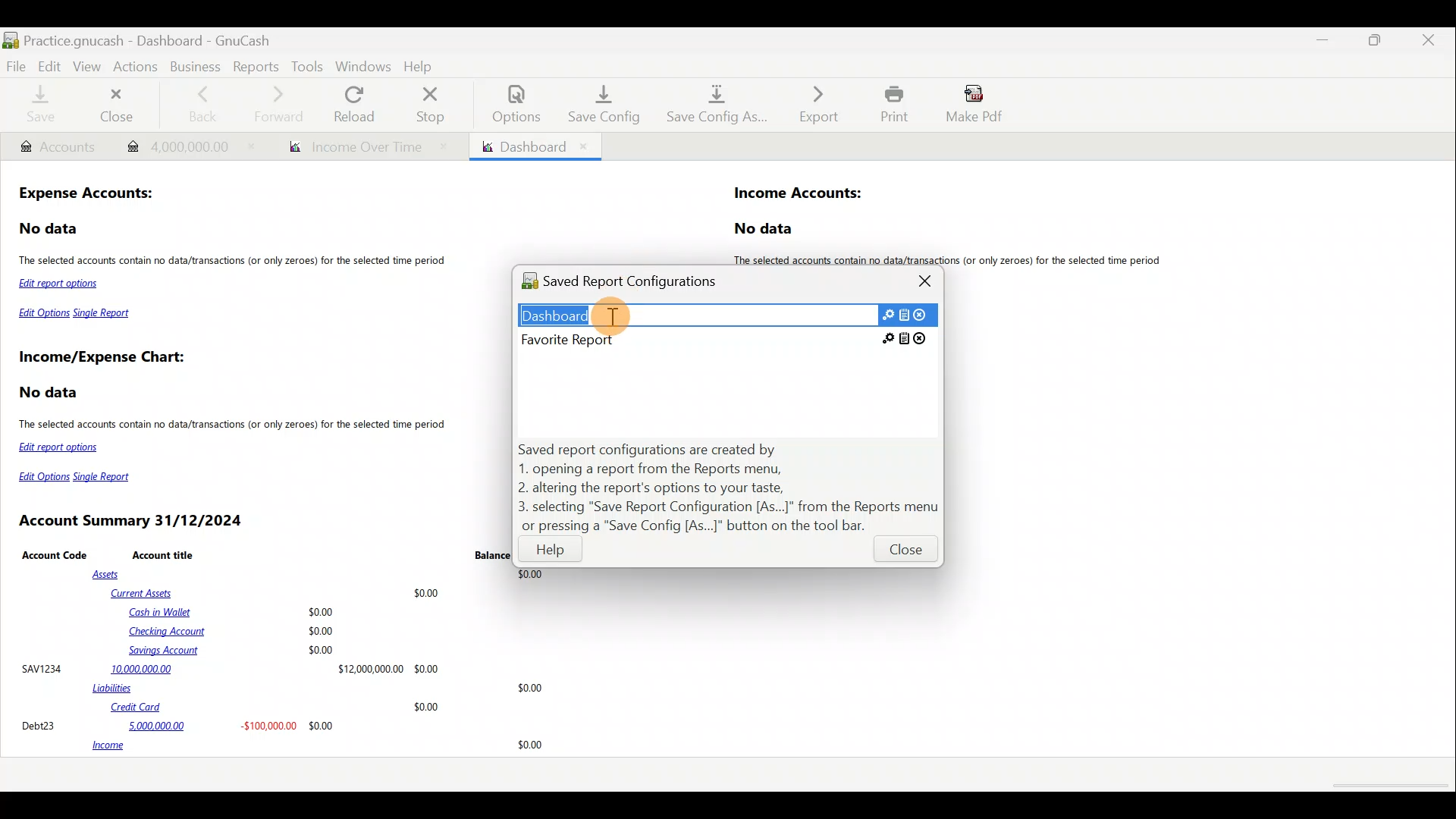 This screenshot has width=1456, height=819. What do you see at coordinates (799, 194) in the screenshot?
I see `Income Accounts:` at bounding box center [799, 194].